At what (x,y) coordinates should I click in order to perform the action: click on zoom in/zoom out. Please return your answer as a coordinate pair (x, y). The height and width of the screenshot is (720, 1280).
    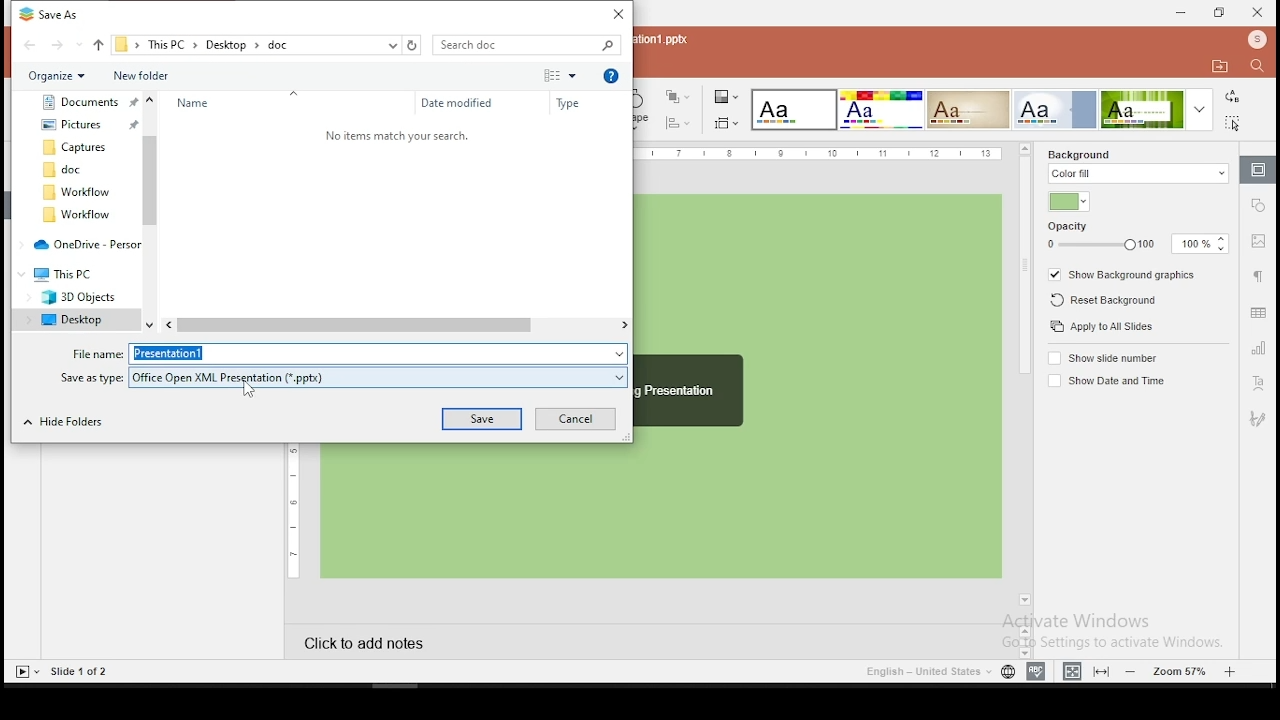
    Looking at the image, I should click on (1182, 669).